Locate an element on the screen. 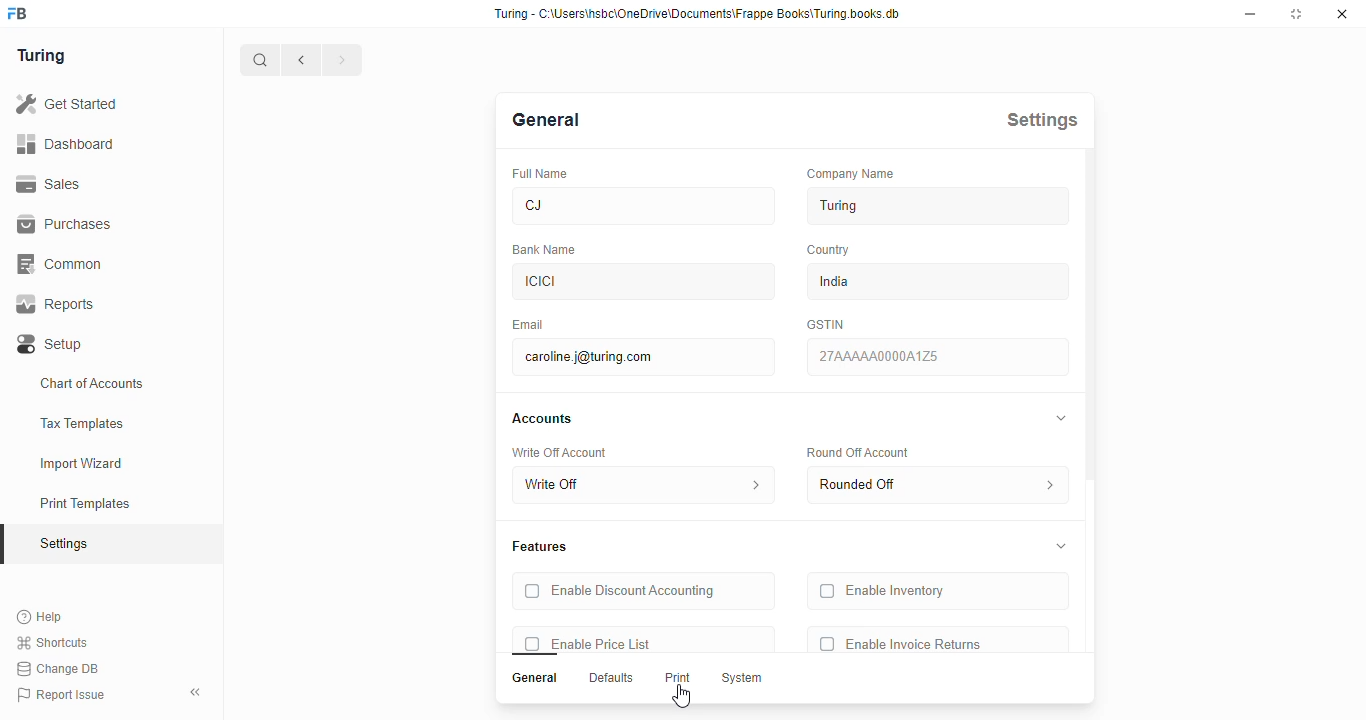  Enable Invoice Returns is located at coordinates (915, 643).